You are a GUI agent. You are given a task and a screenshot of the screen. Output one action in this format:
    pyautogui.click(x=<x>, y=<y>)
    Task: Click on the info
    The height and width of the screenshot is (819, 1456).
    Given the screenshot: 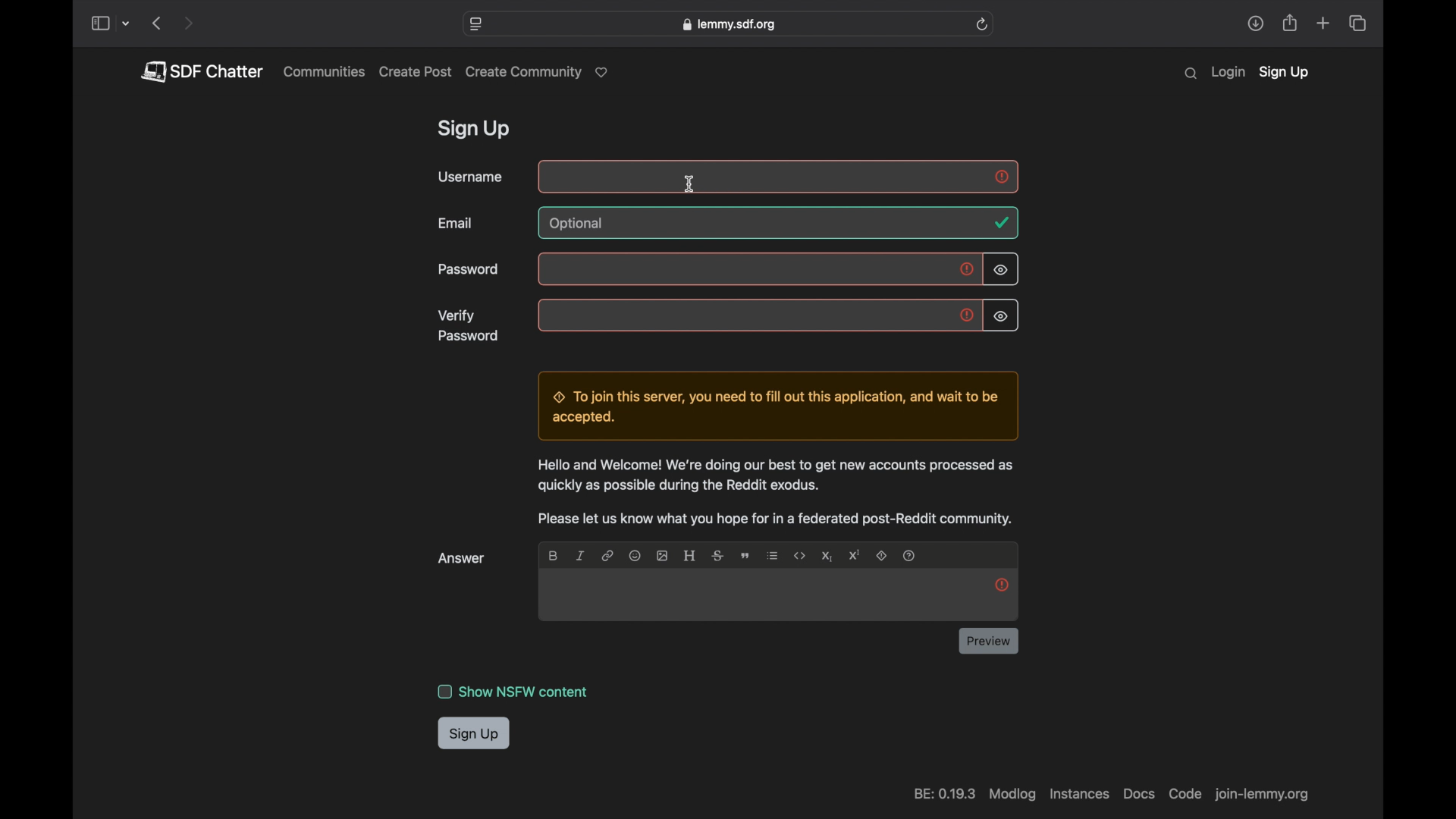 What is the action you would take?
    pyautogui.click(x=777, y=492)
    